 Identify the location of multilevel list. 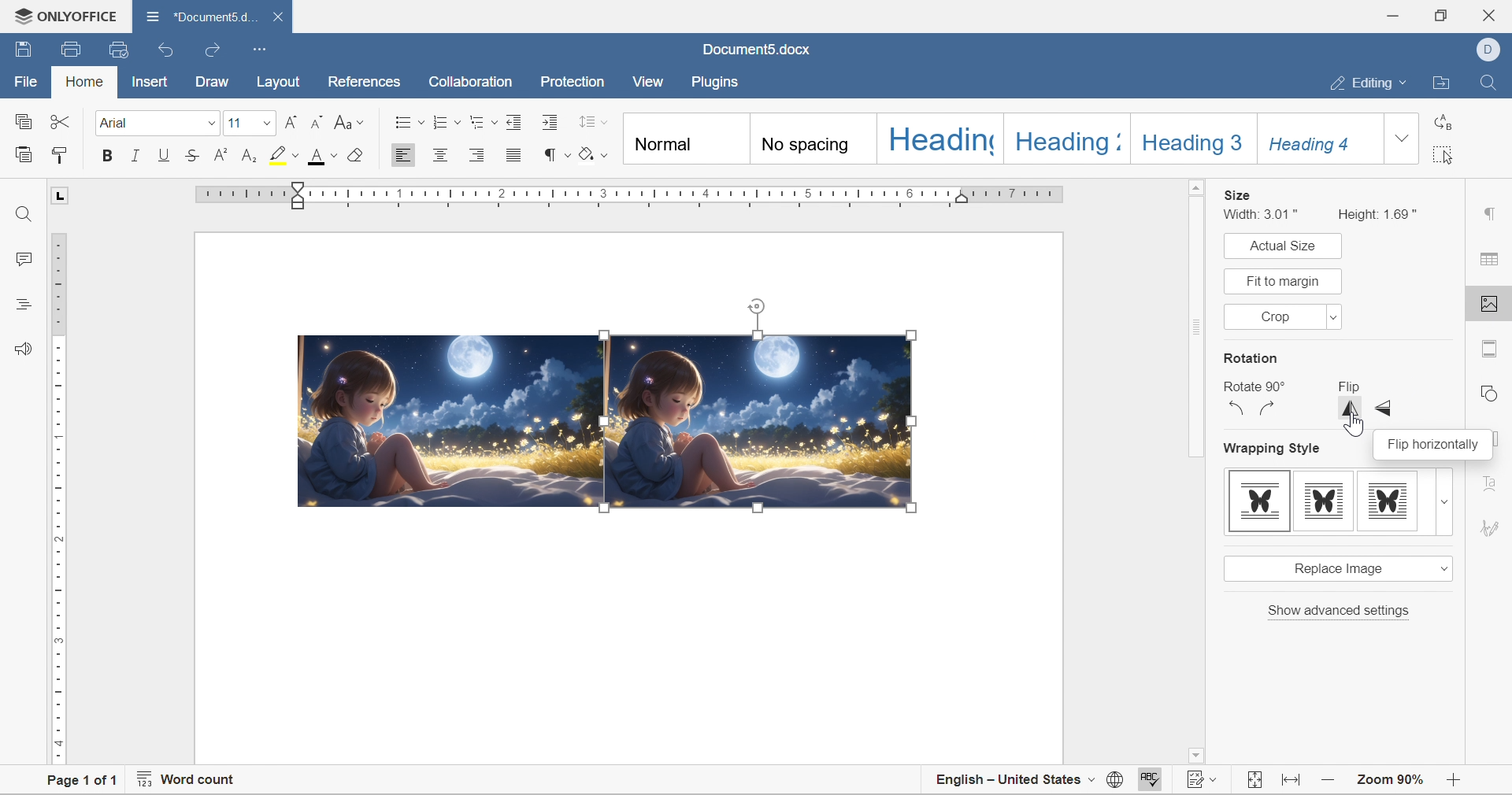
(483, 122).